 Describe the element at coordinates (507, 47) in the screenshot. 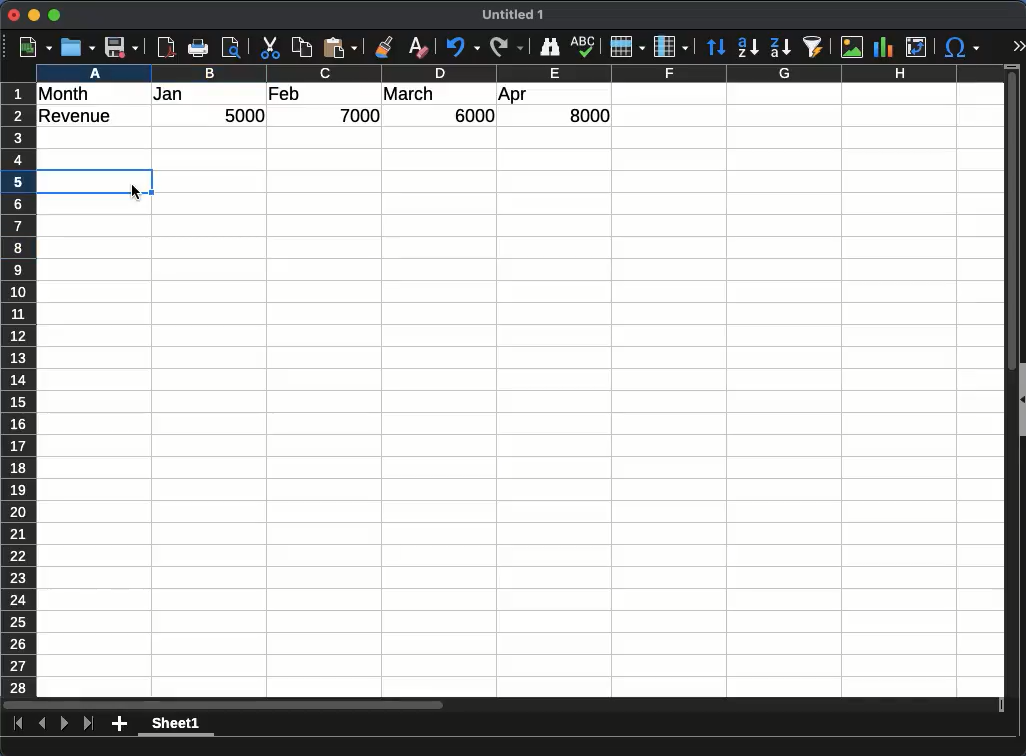

I see `redo` at that location.